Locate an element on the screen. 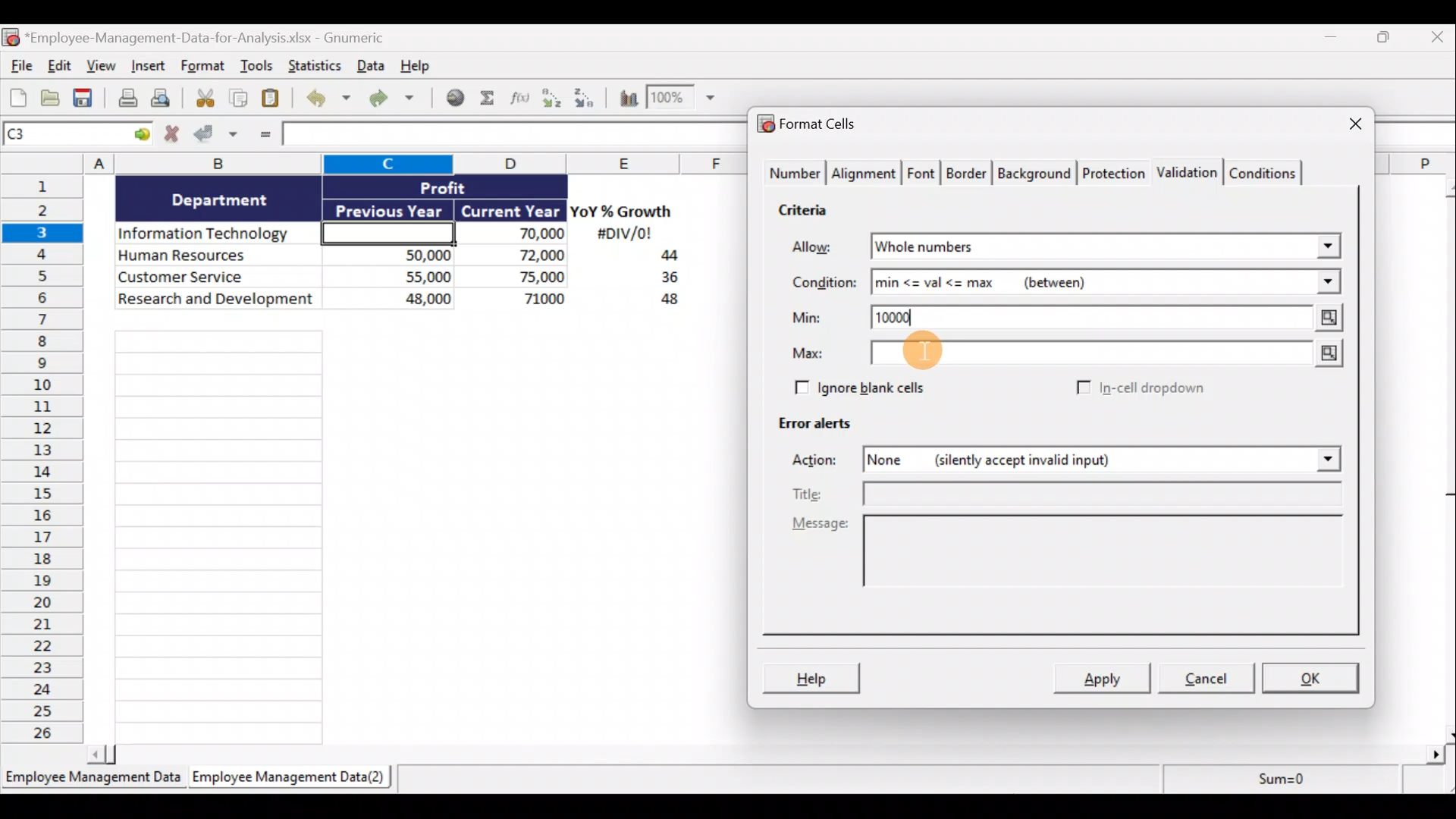 The image size is (1456, 819). Previous Year is located at coordinates (390, 208).